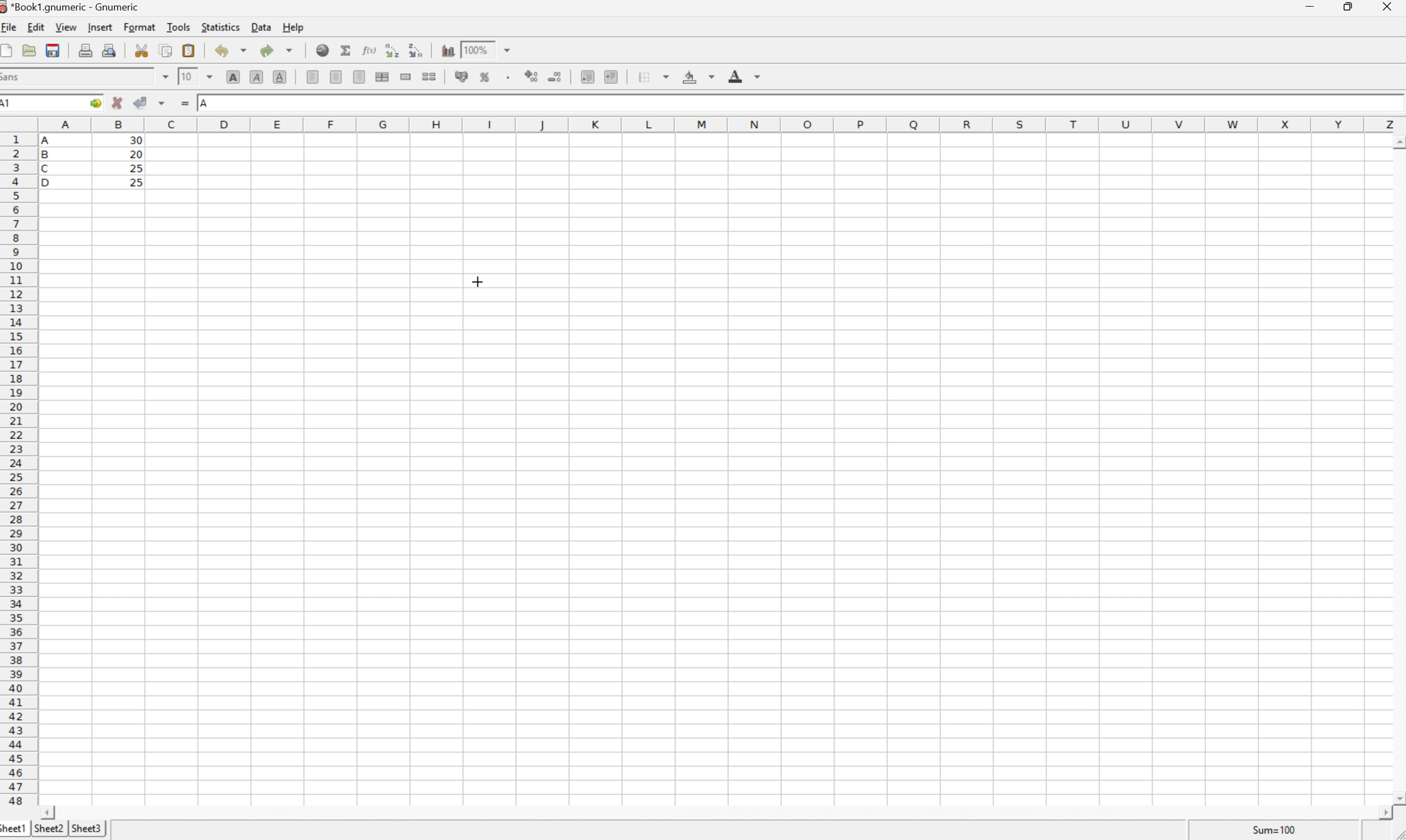 The width and height of the screenshot is (1406, 840). What do you see at coordinates (1272, 830) in the screenshot?
I see `Sum = 0` at bounding box center [1272, 830].